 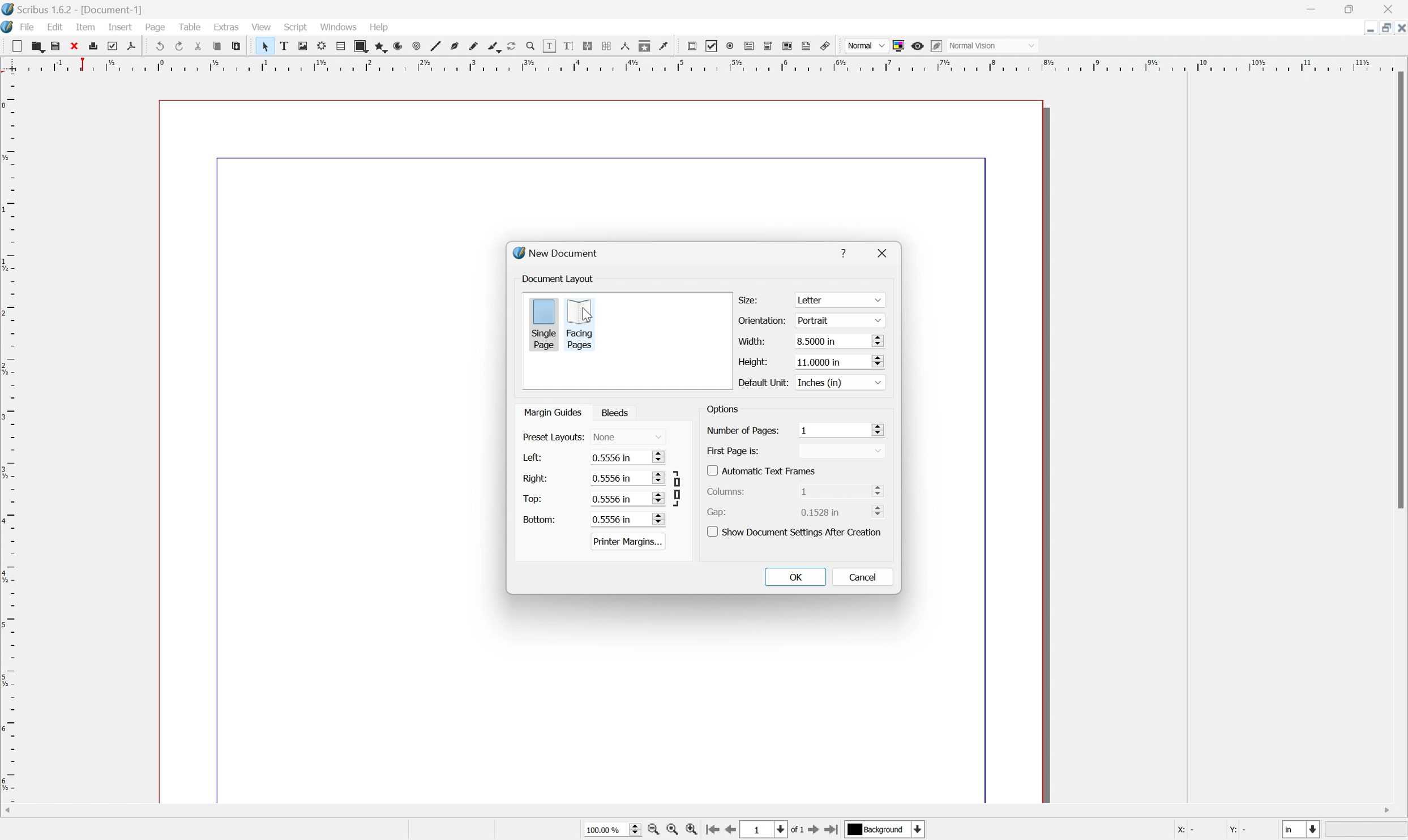 I want to click on 0.5556 in, so click(x=627, y=519).